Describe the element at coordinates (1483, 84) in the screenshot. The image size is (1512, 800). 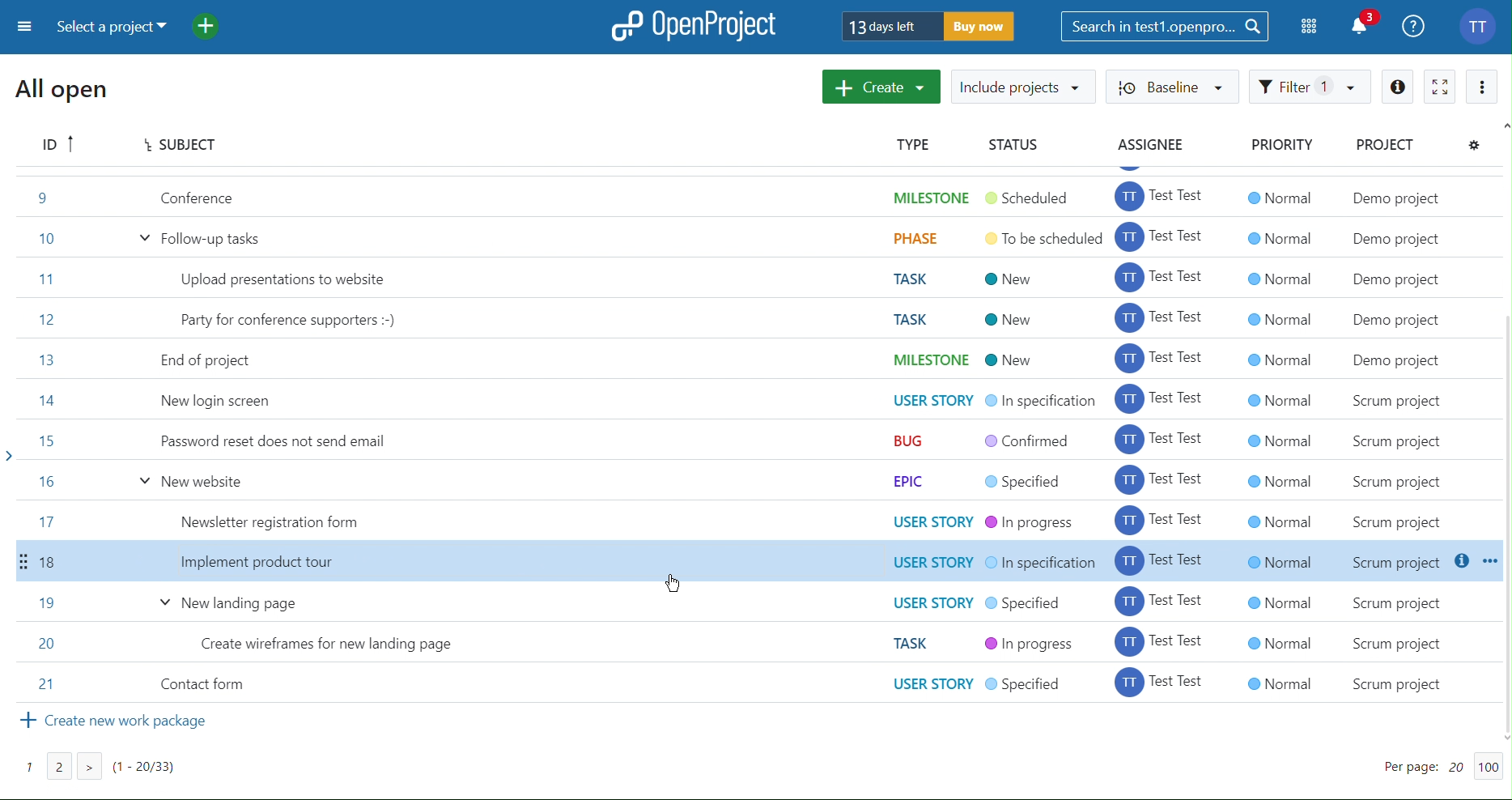
I see `more` at that location.